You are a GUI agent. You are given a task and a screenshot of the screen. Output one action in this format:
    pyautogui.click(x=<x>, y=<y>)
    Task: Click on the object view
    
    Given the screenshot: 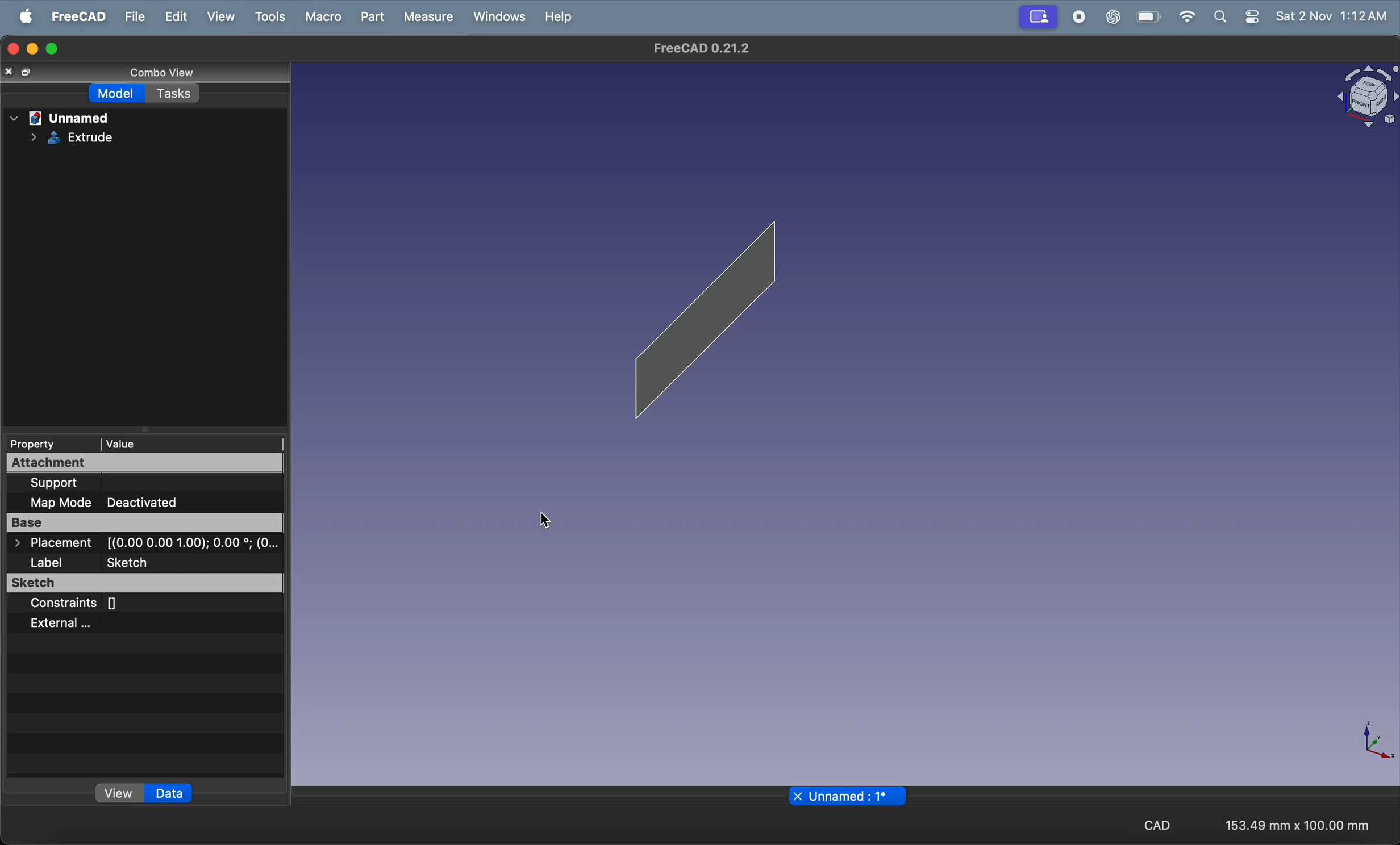 What is the action you would take?
    pyautogui.click(x=1363, y=99)
    